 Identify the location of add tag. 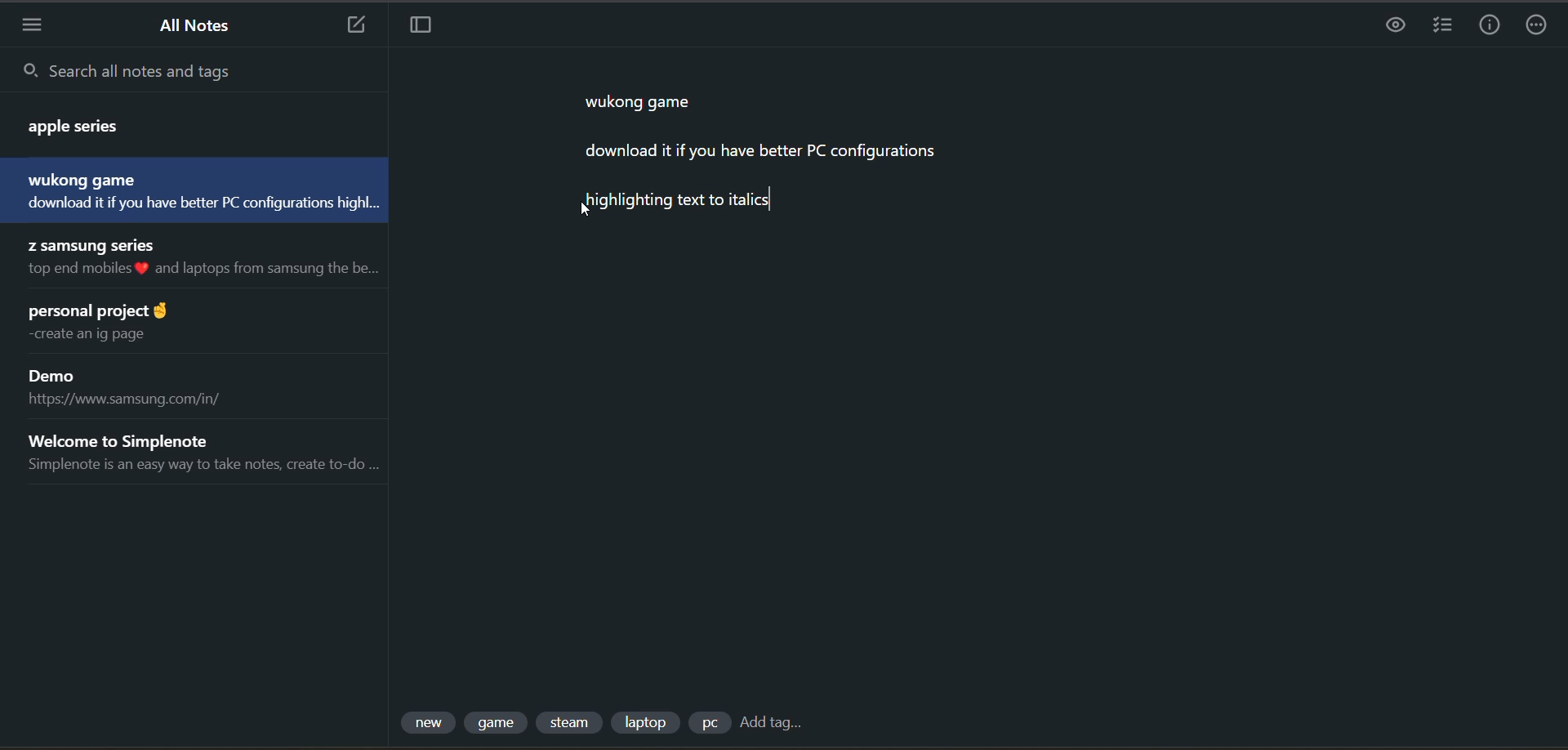
(770, 725).